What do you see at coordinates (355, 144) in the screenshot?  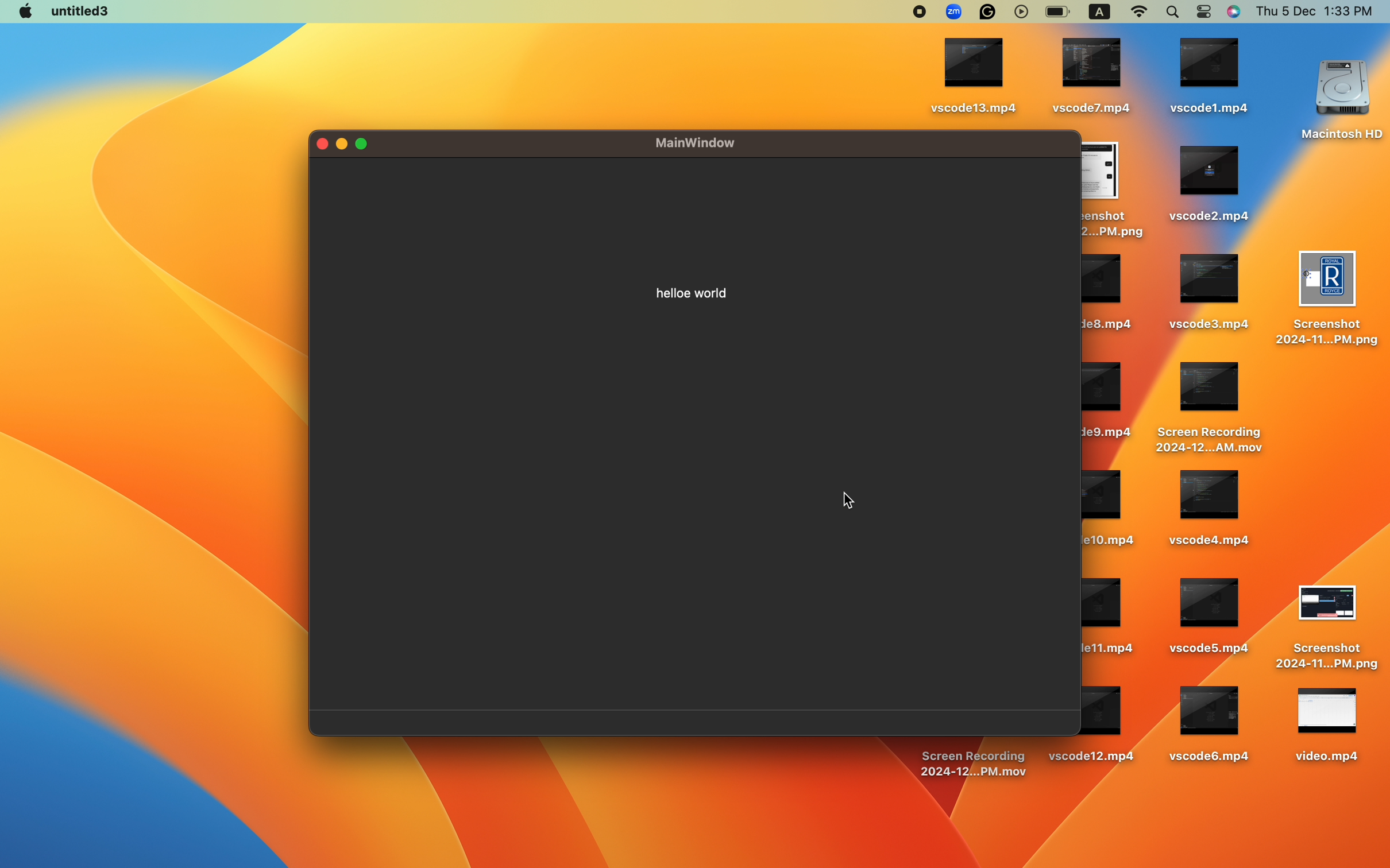 I see `window control` at bounding box center [355, 144].